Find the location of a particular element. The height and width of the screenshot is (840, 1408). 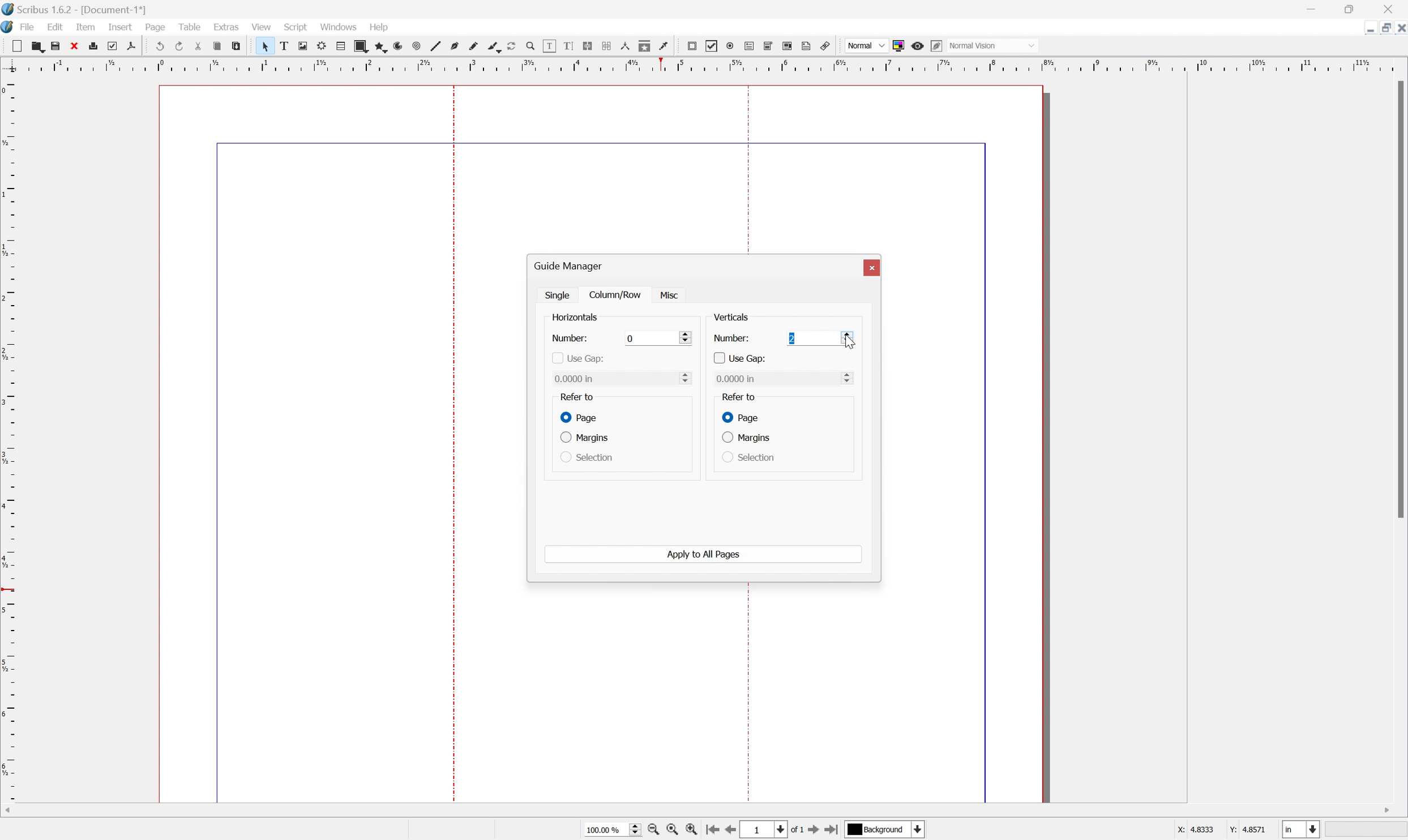

scribus 1.6.2 - [document-1] is located at coordinates (72, 8).